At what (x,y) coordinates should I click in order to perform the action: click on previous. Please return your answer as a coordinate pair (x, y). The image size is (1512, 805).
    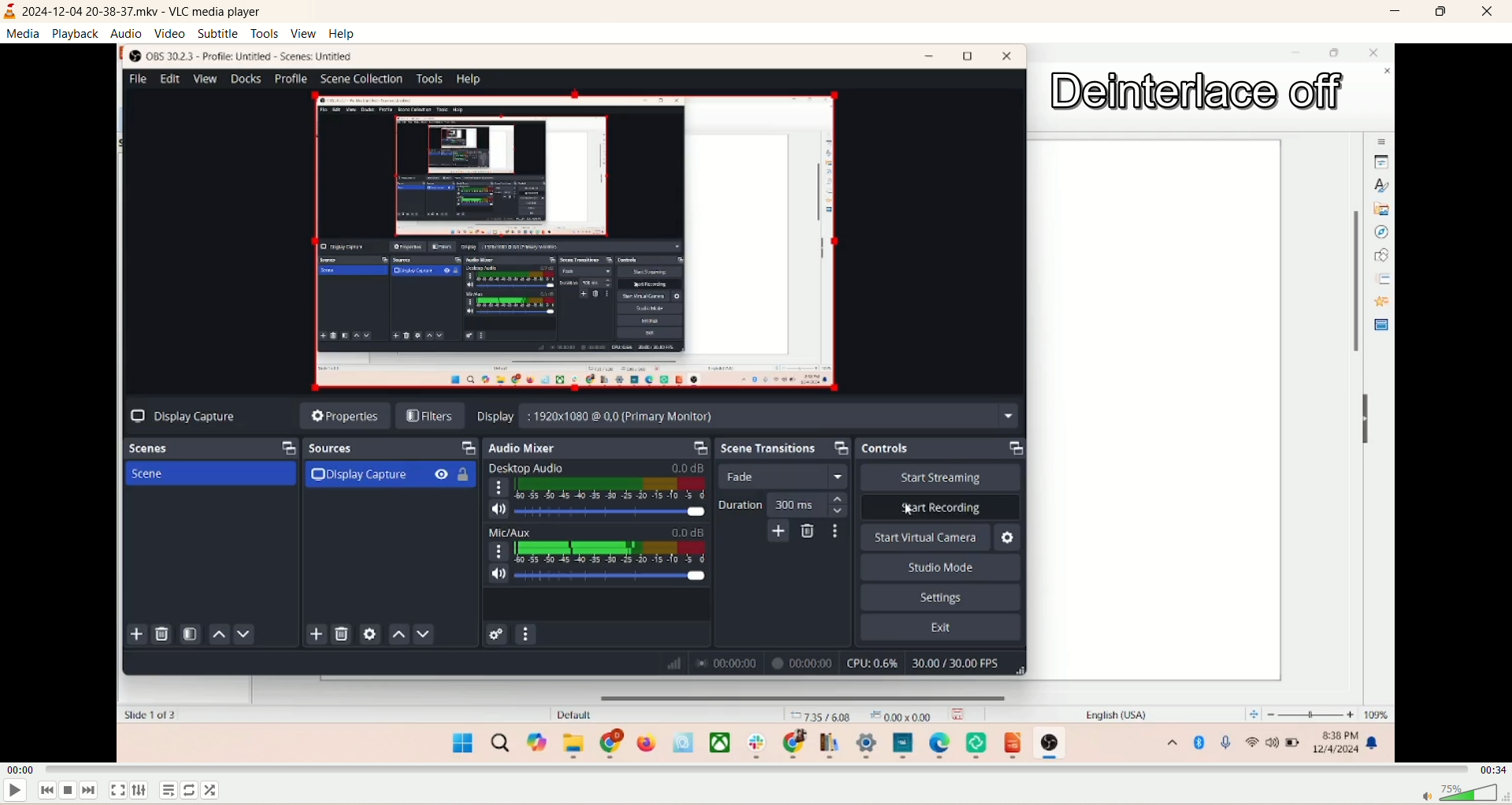
    Looking at the image, I should click on (45, 793).